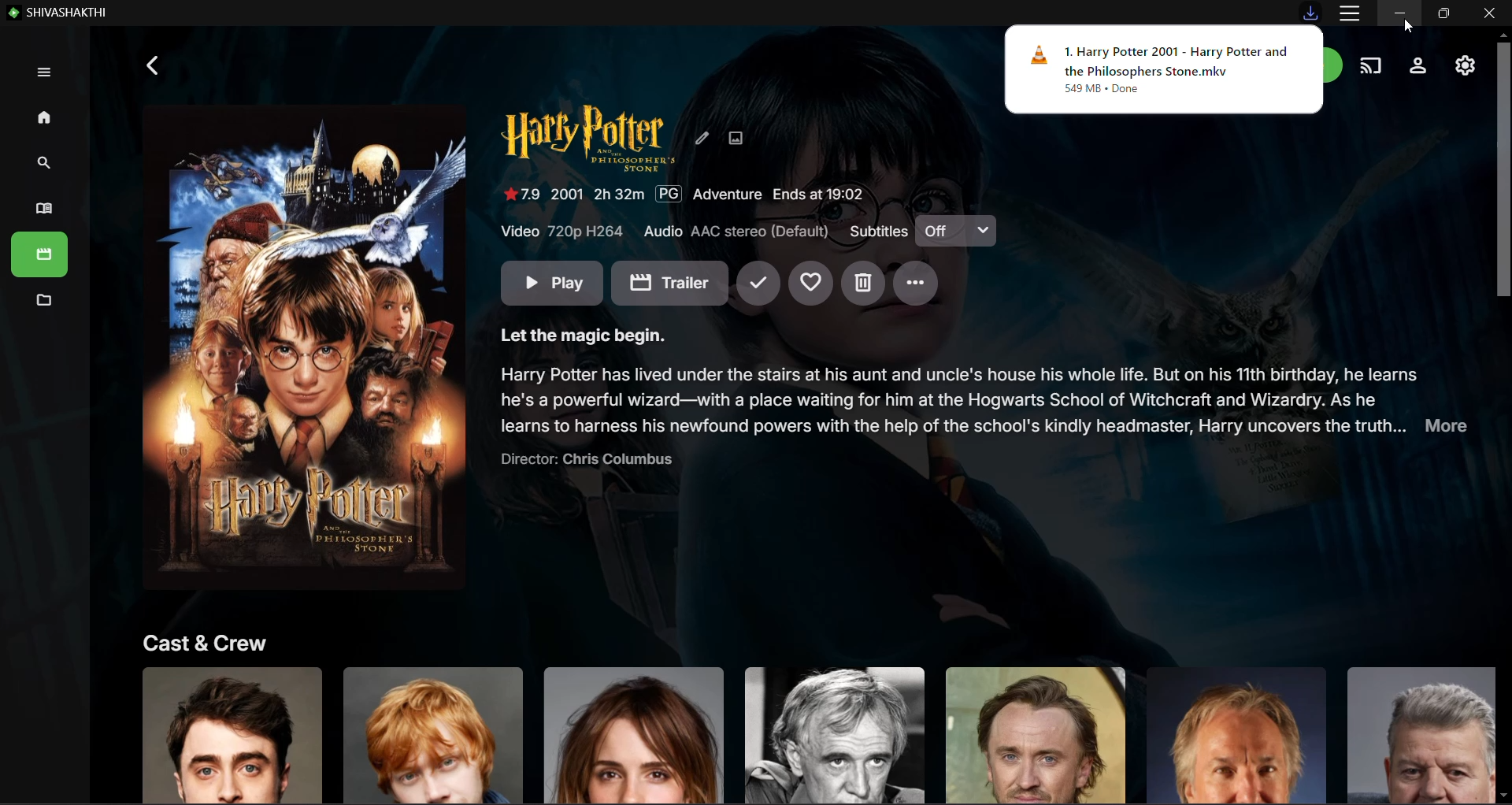  What do you see at coordinates (1350, 13) in the screenshot?
I see `Customize and Control App` at bounding box center [1350, 13].